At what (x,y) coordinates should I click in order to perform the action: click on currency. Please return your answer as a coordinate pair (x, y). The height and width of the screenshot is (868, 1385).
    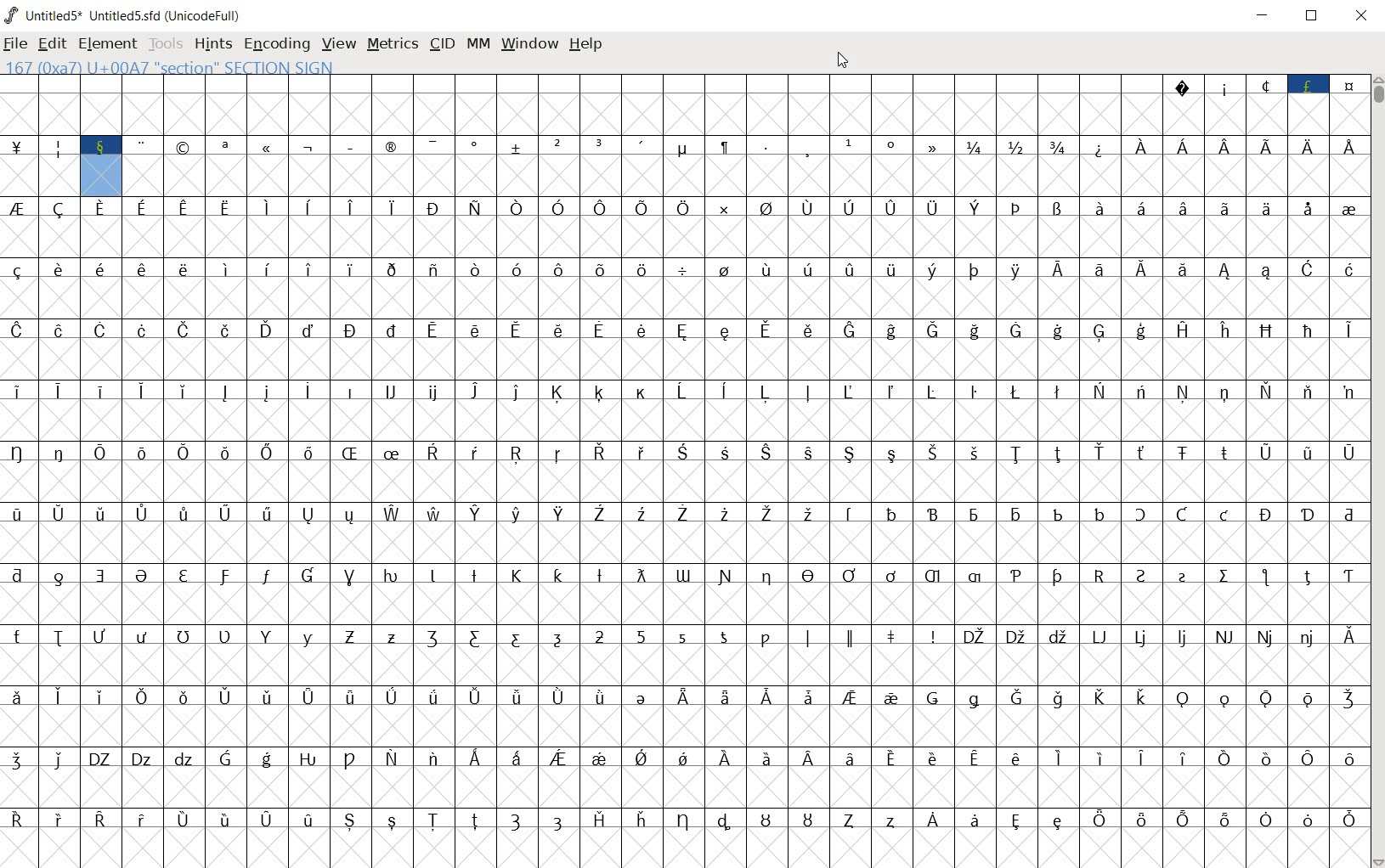
    Looking at the image, I should click on (18, 166).